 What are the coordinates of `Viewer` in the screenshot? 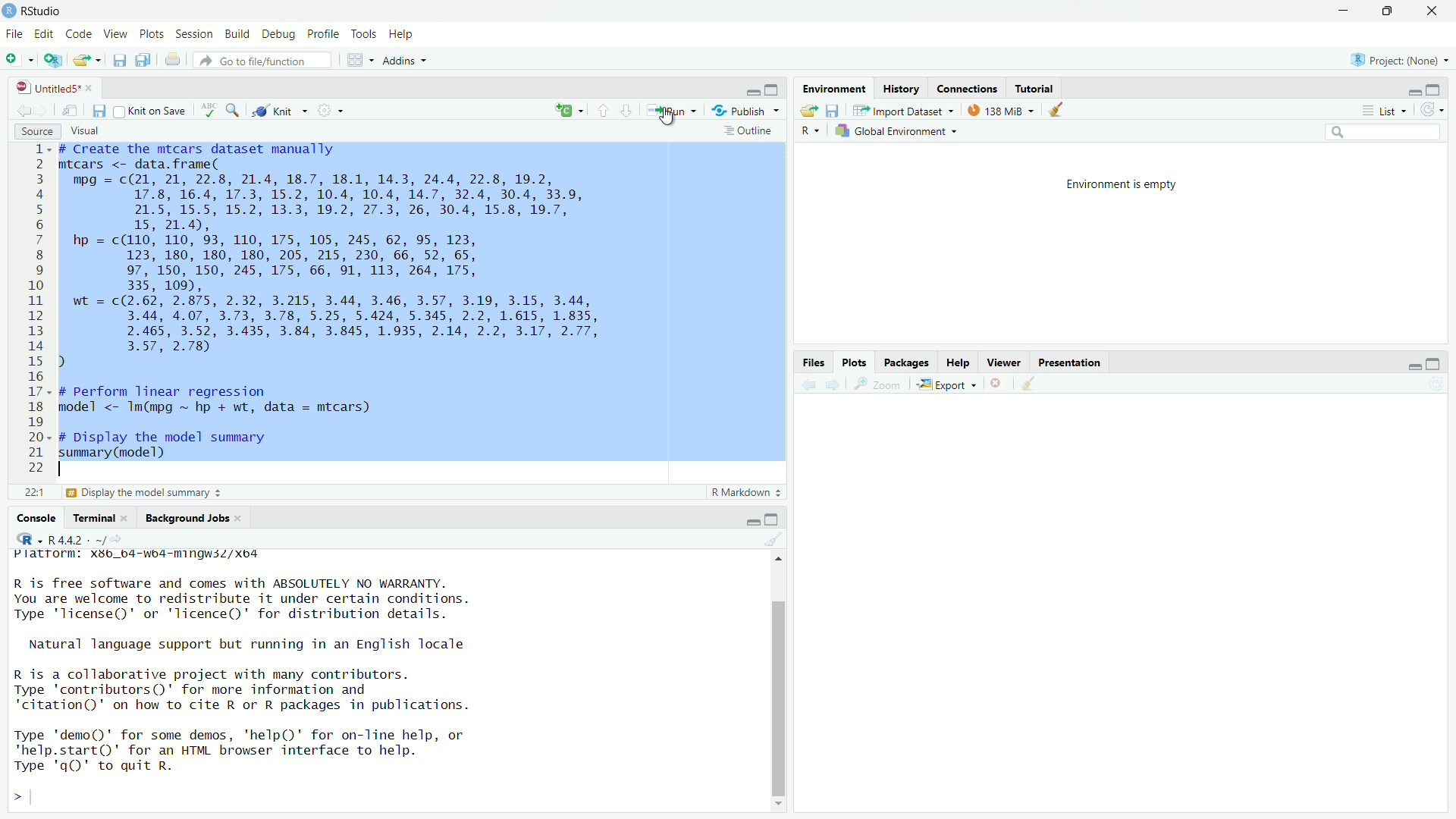 It's located at (1007, 363).